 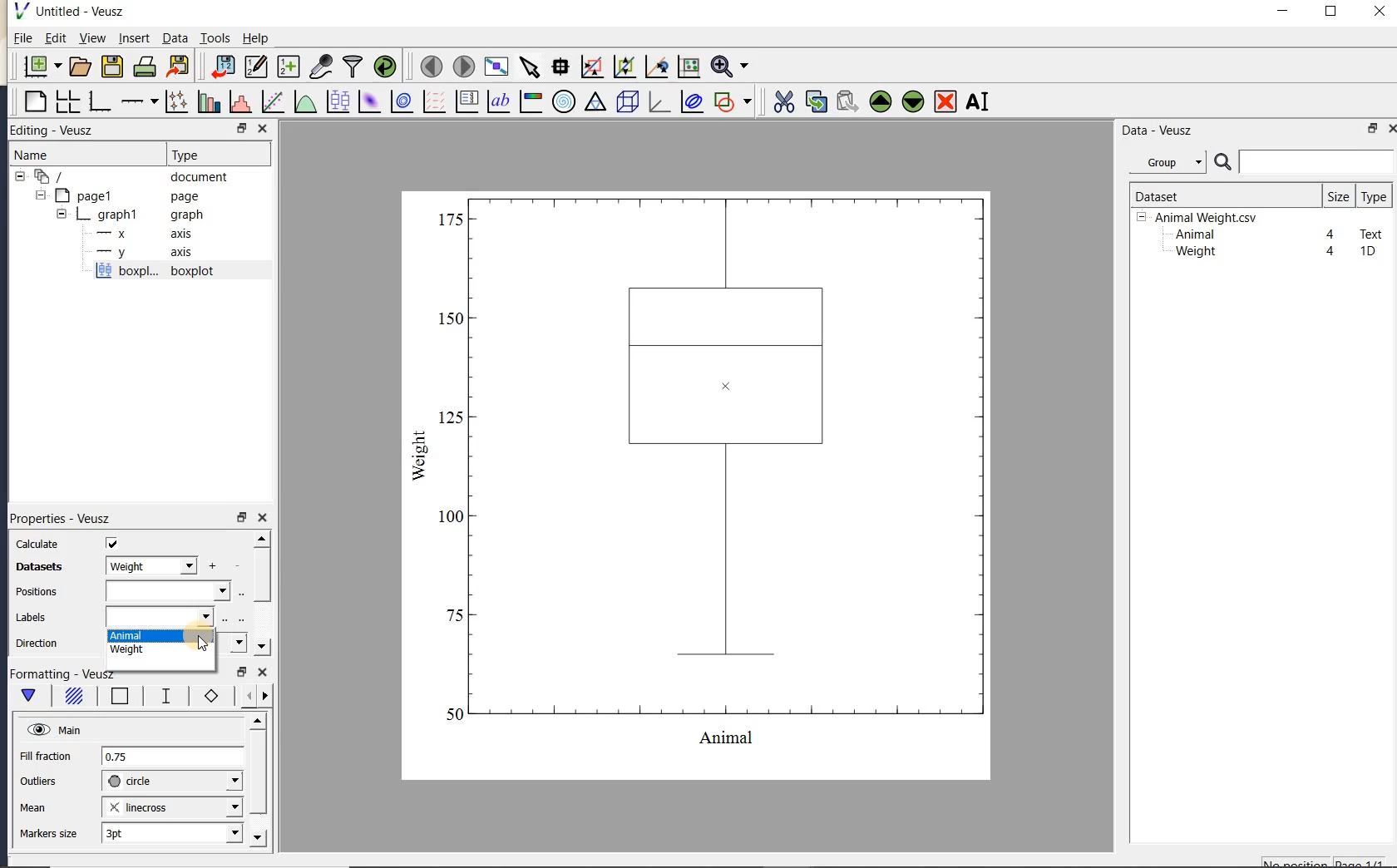 What do you see at coordinates (49, 155) in the screenshot?
I see `Name` at bounding box center [49, 155].